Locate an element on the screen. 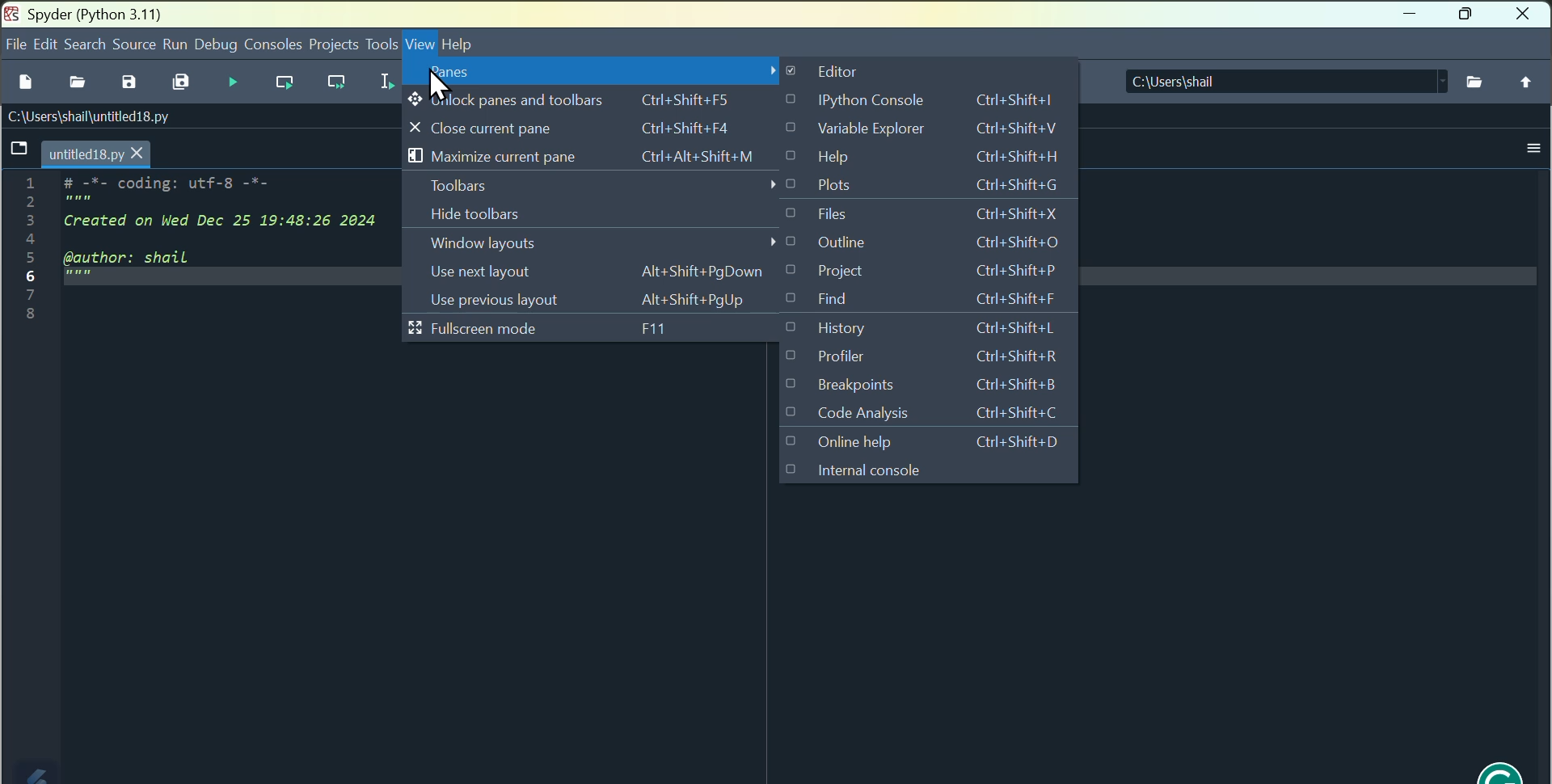 The image size is (1552, 784). Close current pane is located at coordinates (607, 129).